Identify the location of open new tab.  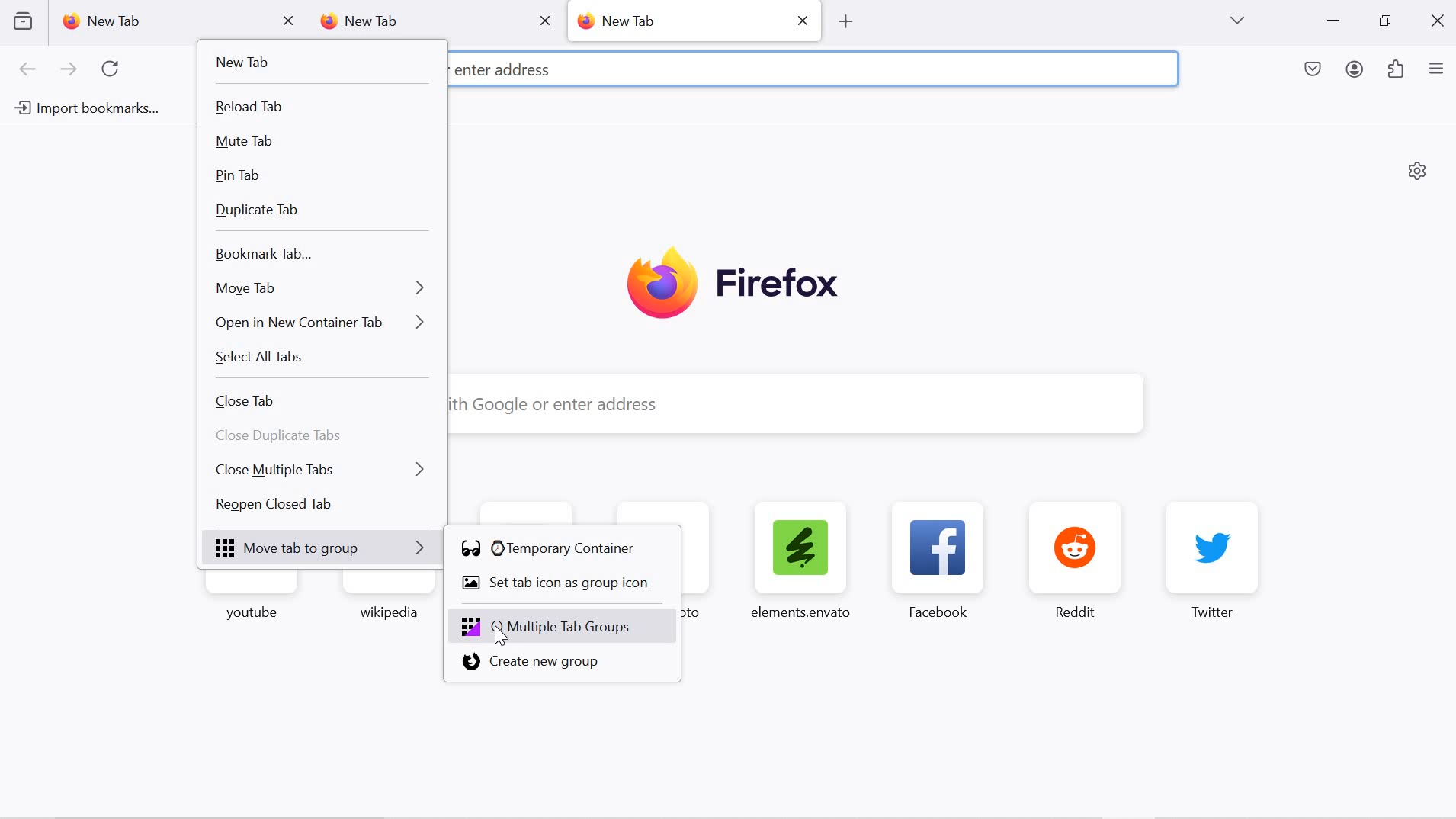
(846, 20).